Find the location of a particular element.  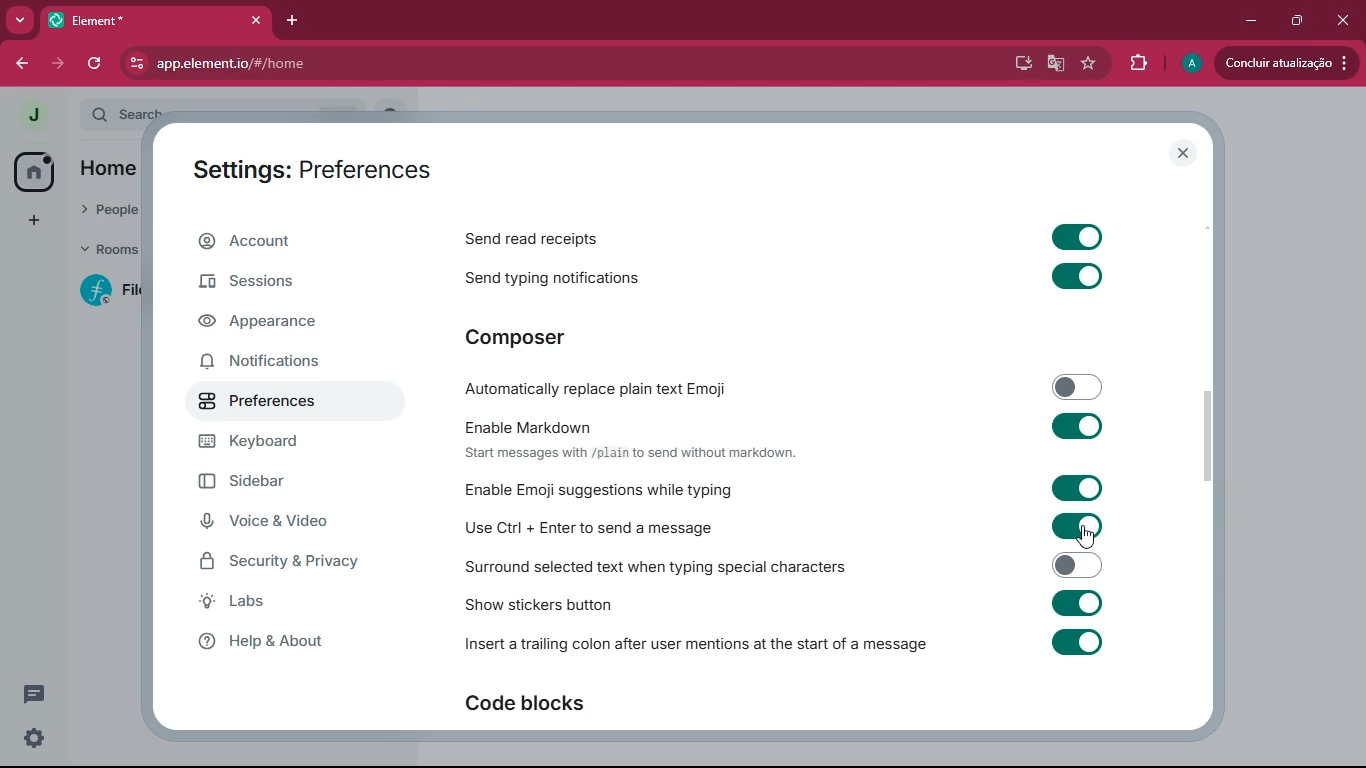

favourite is located at coordinates (1091, 63).